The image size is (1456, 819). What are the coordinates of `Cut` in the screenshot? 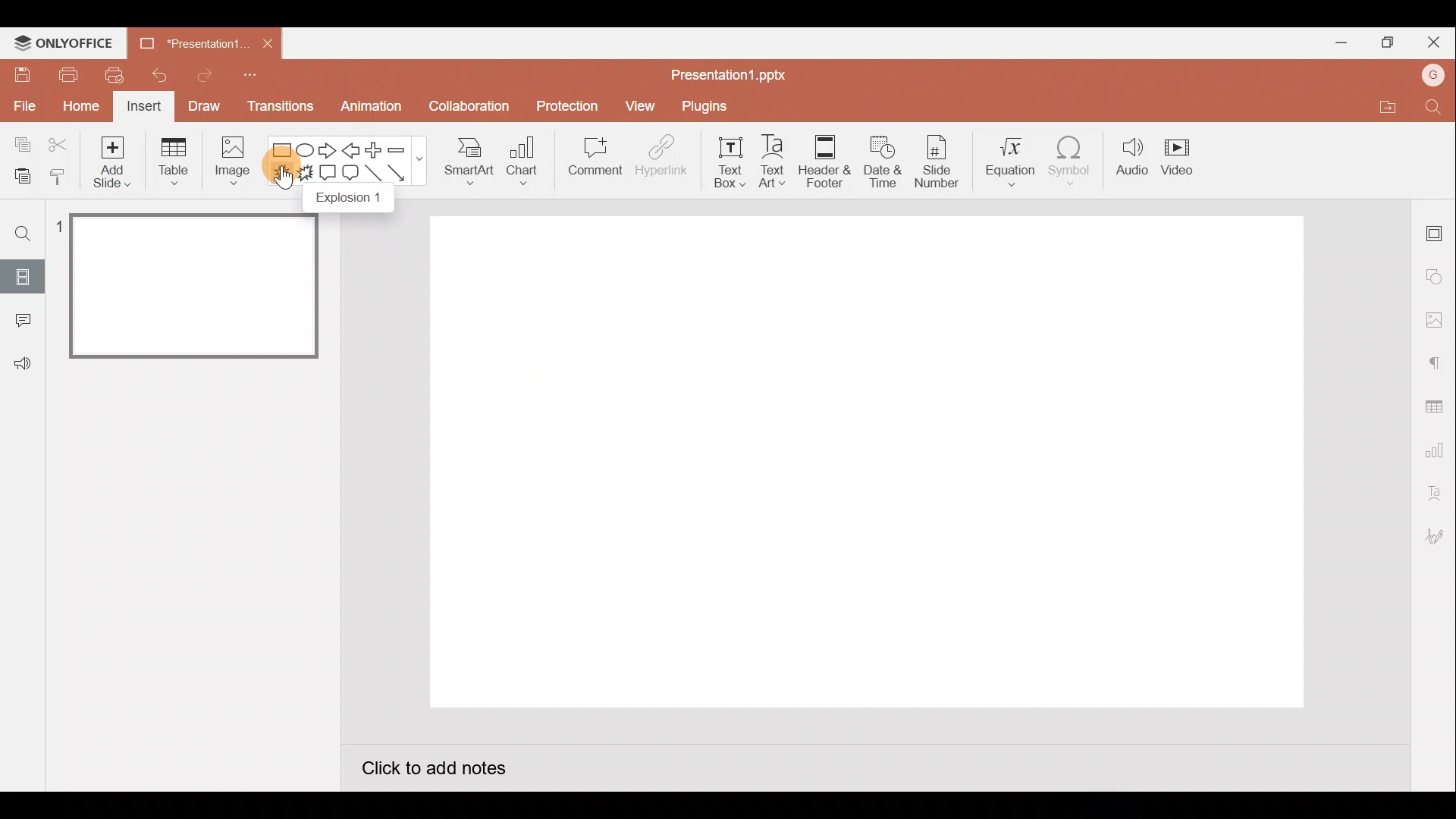 It's located at (60, 142).